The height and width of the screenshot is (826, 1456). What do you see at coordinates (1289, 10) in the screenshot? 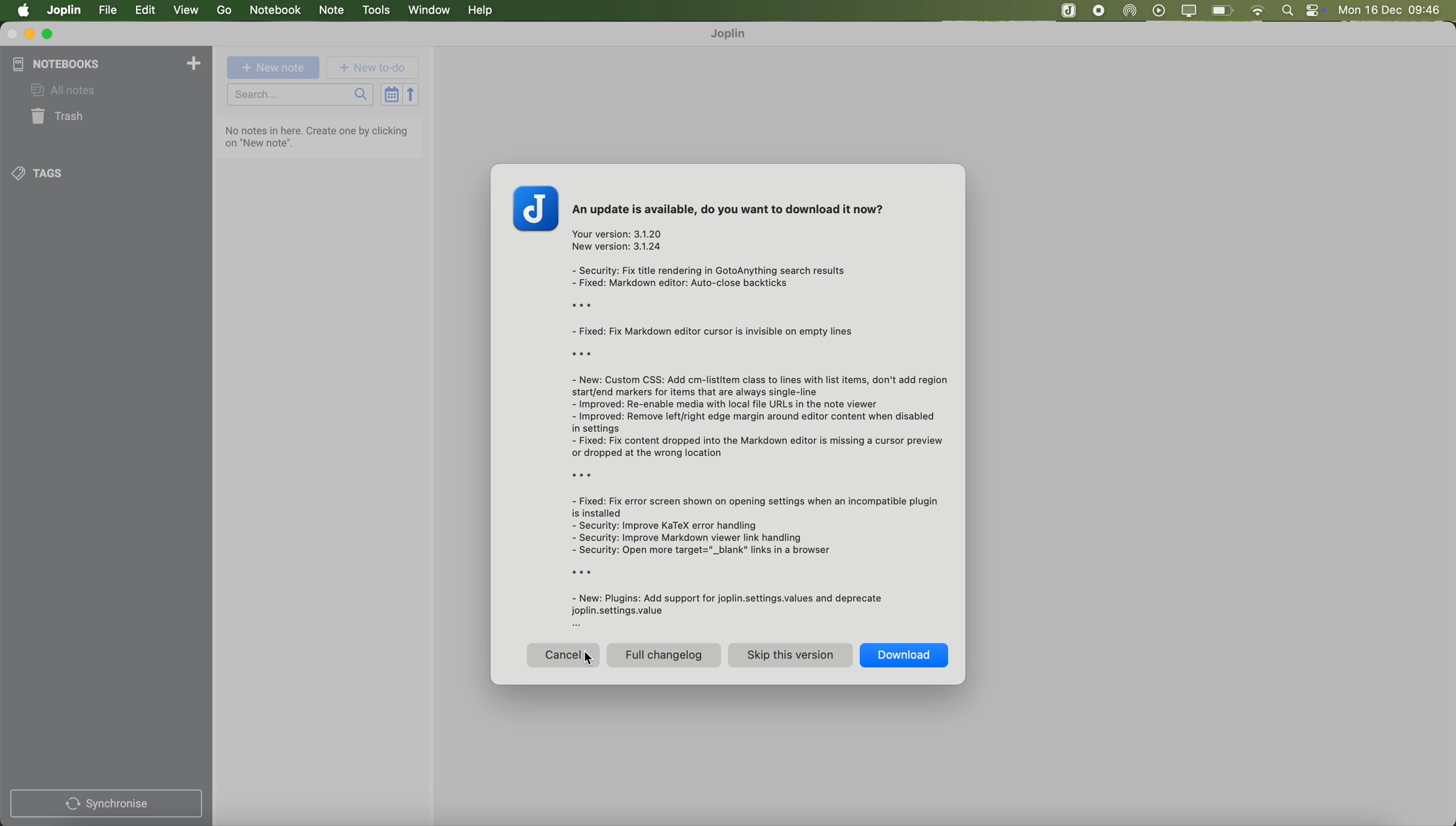
I see `spotlight search` at bounding box center [1289, 10].